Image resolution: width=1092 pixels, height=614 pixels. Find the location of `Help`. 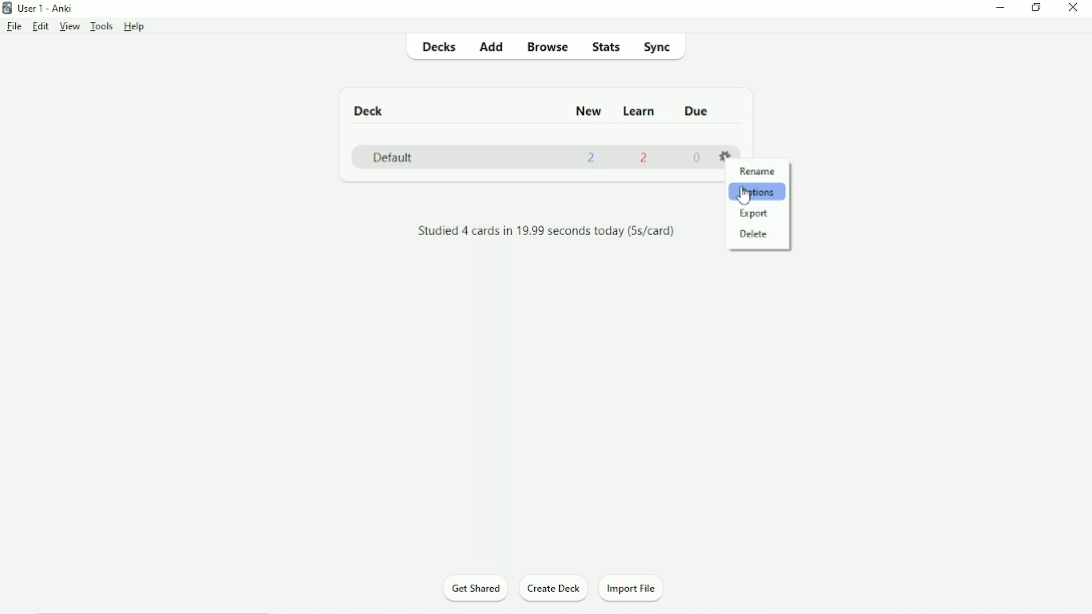

Help is located at coordinates (134, 27).